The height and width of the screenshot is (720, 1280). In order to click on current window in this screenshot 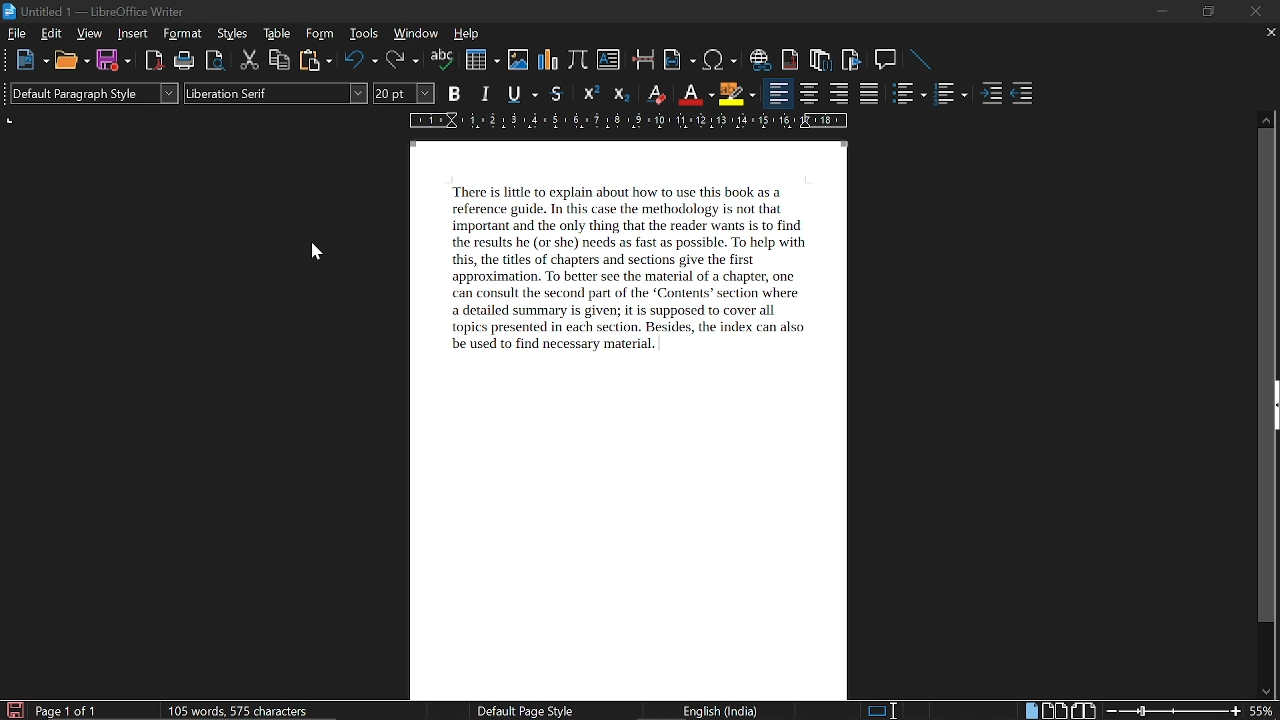, I will do `click(97, 13)`.